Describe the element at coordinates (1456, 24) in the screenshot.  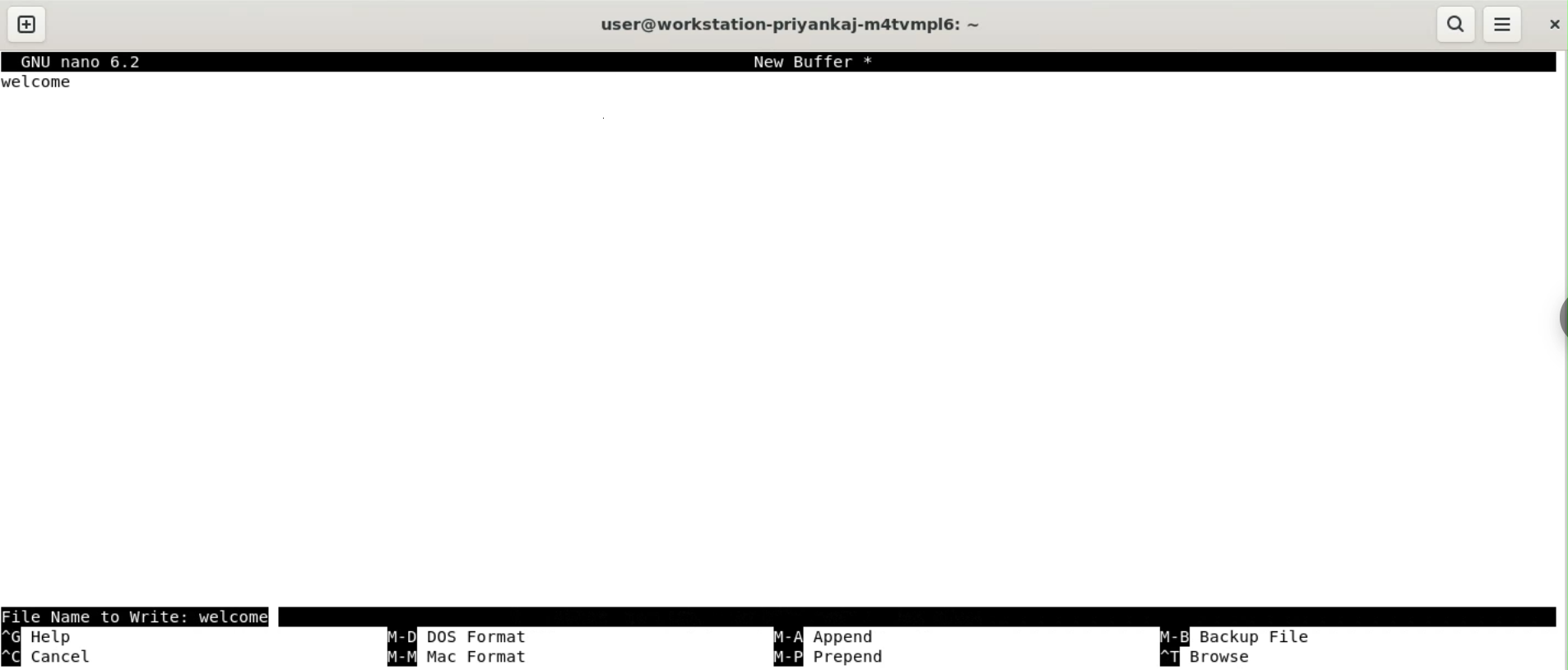
I see `search` at that location.